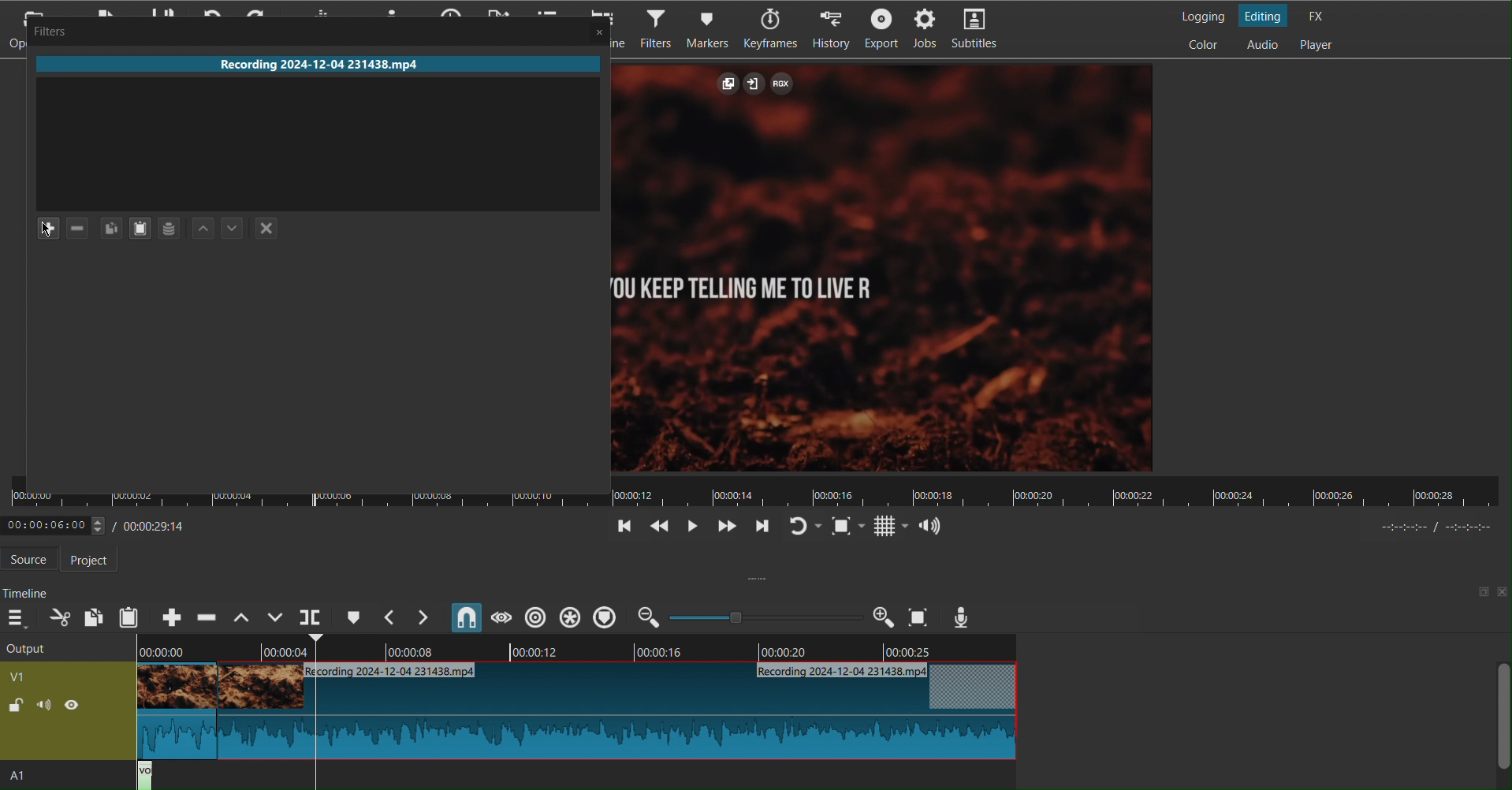 Image resolution: width=1512 pixels, height=790 pixels. I want to click on History, so click(832, 28).